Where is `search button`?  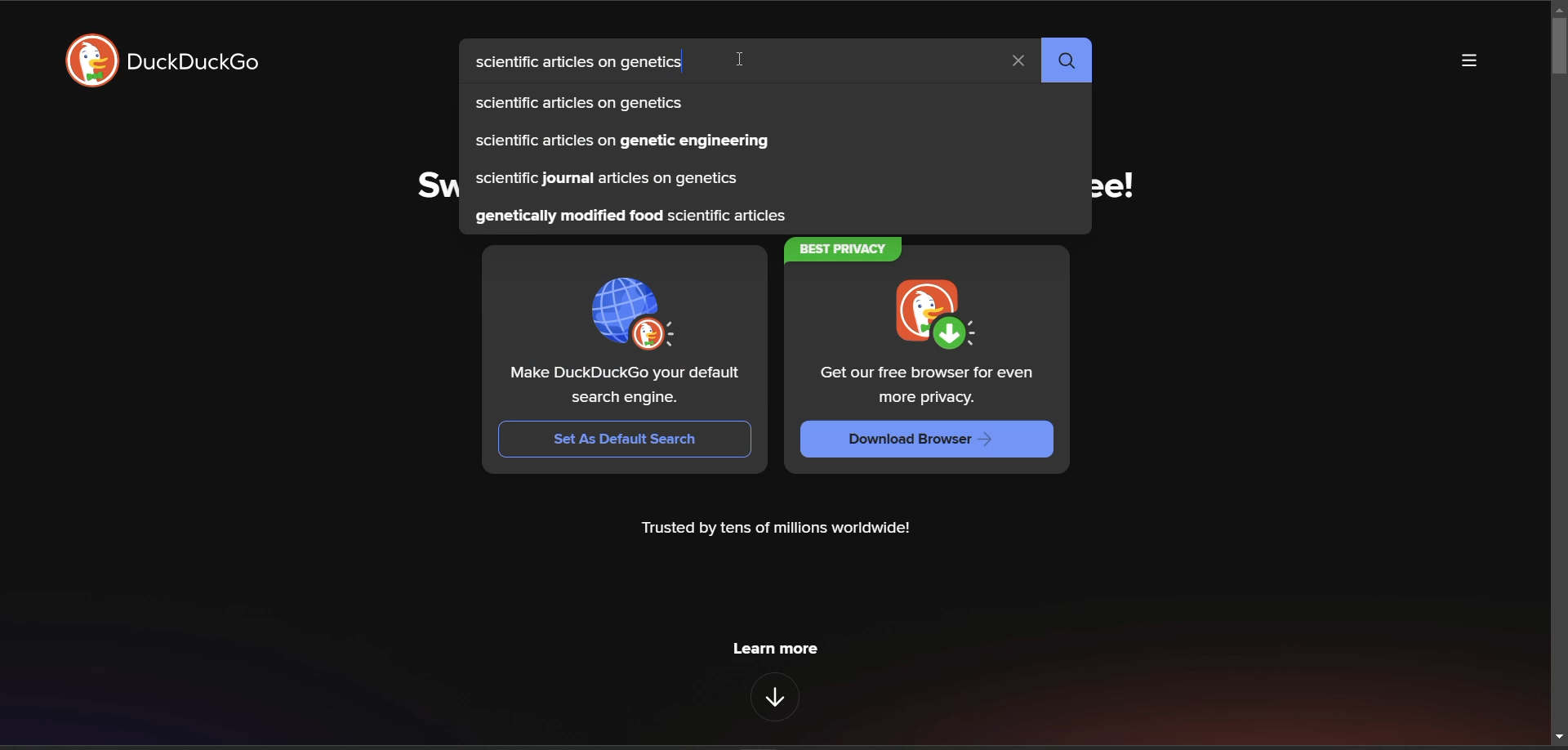
search button is located at coordinates (1073, 65).